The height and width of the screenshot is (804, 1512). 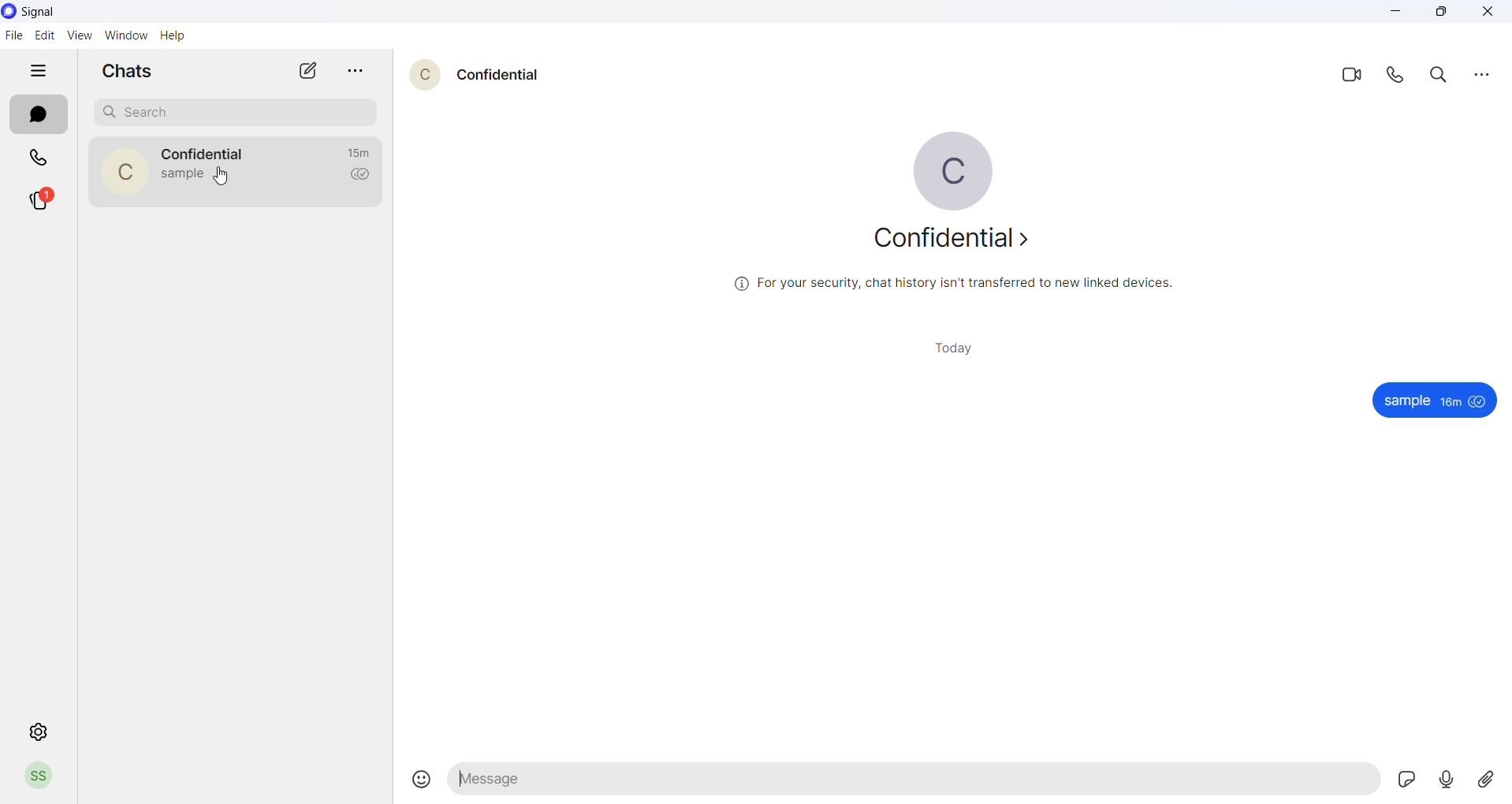 What do you see at coordinates (962, 348) in the screenshot?
I see `today ` at bounding box center [962, 348].